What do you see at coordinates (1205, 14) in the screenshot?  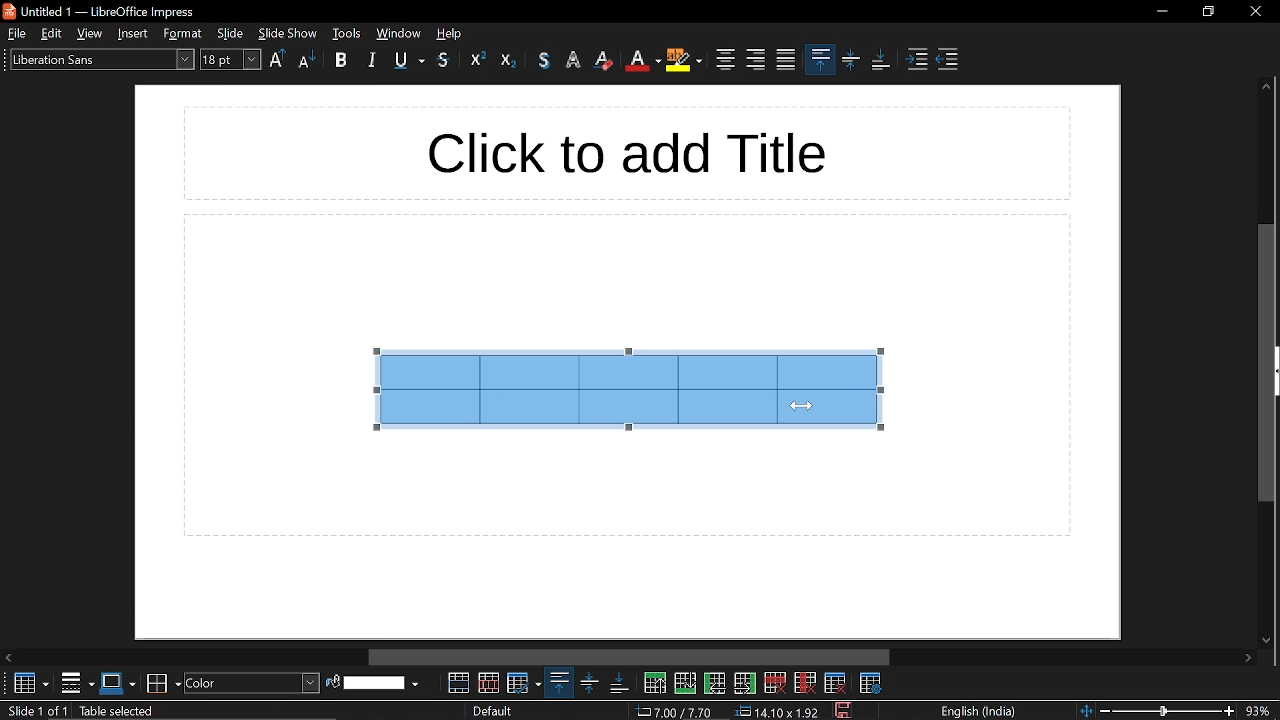 I see `restore down` at bounding box center [1205, 14].